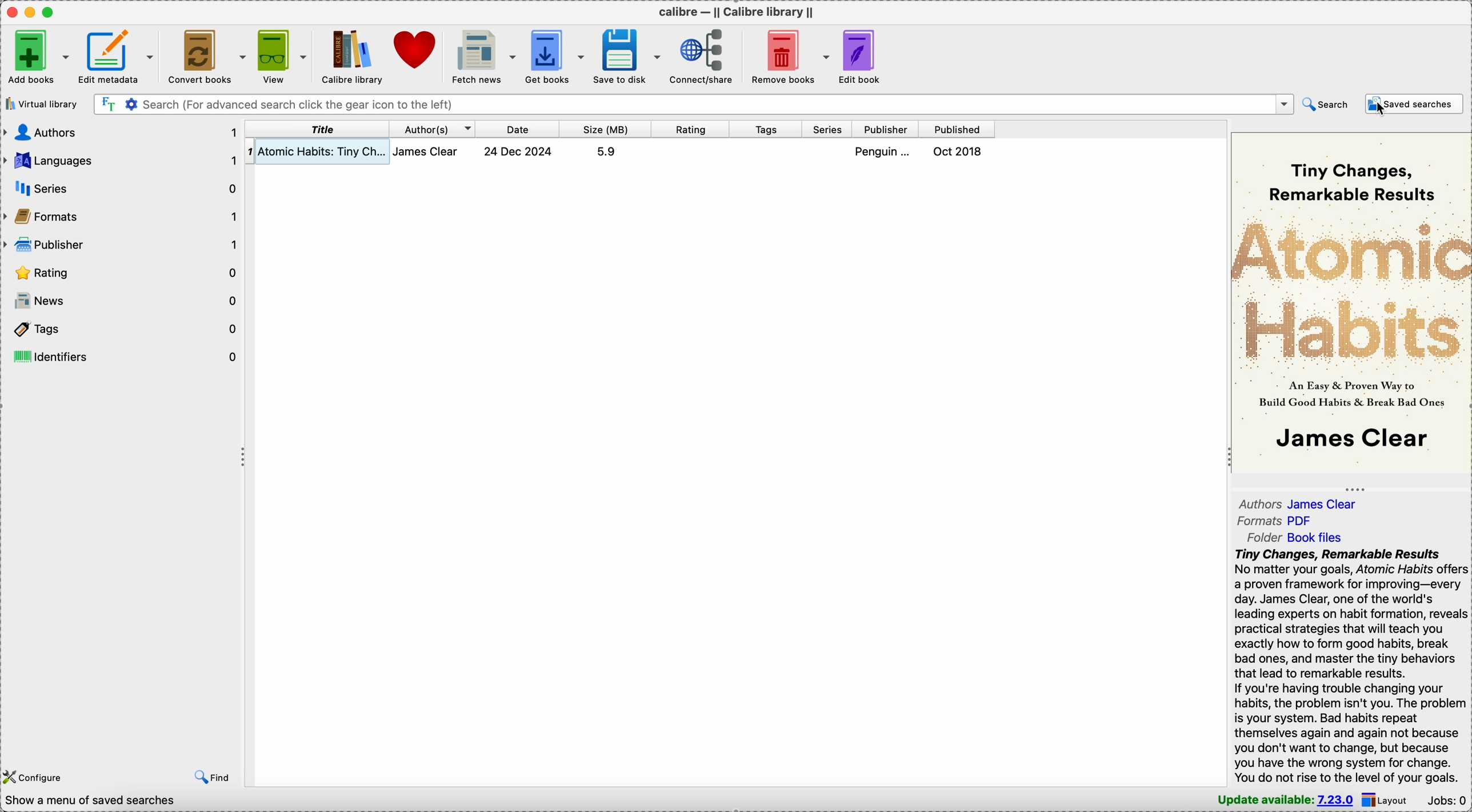 This screenshot has height=812, width=1472. I want to click on 24 Dec 2024, so click(518, 151).